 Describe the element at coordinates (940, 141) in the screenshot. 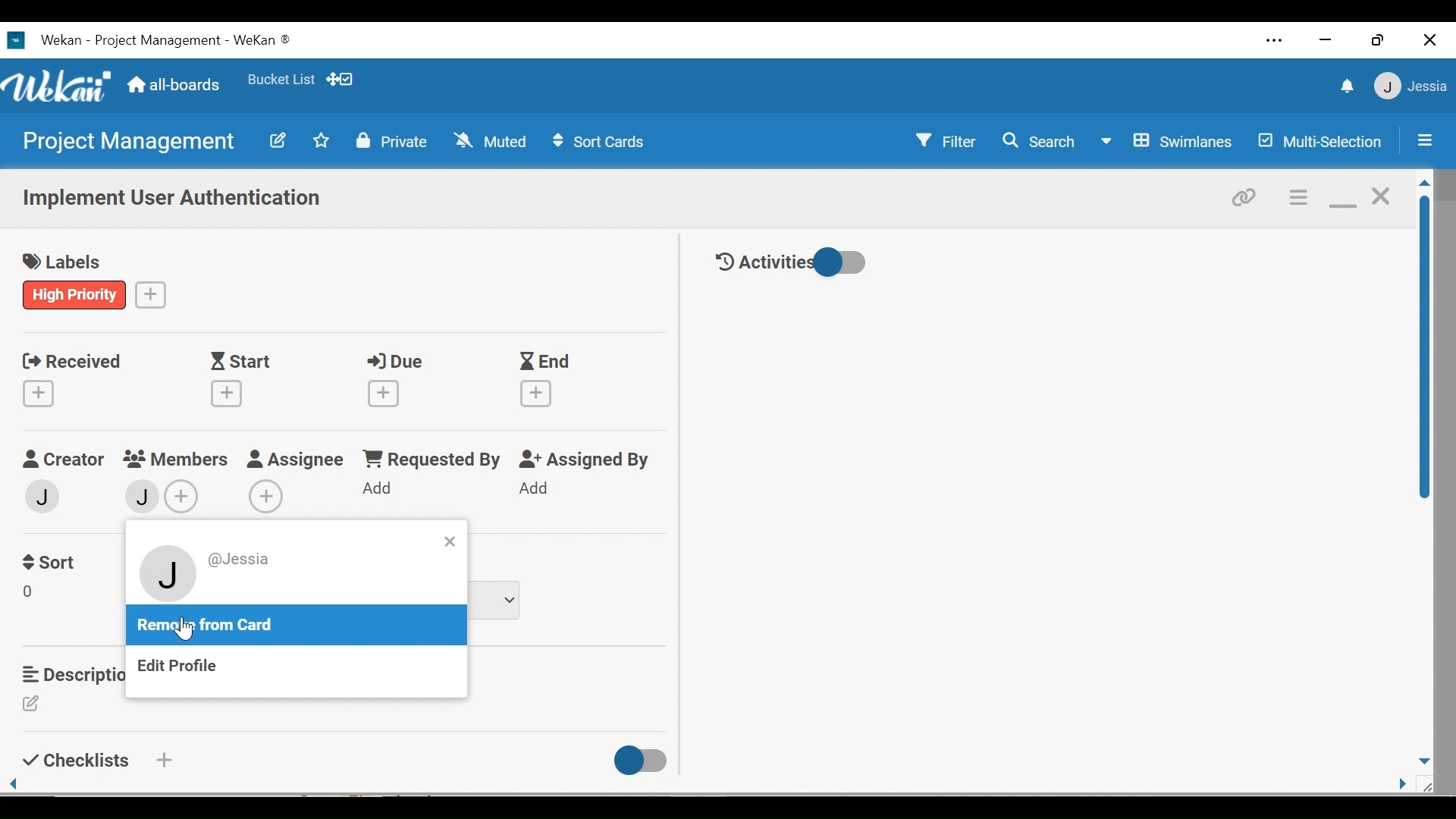

I see ` Filter` at that location.